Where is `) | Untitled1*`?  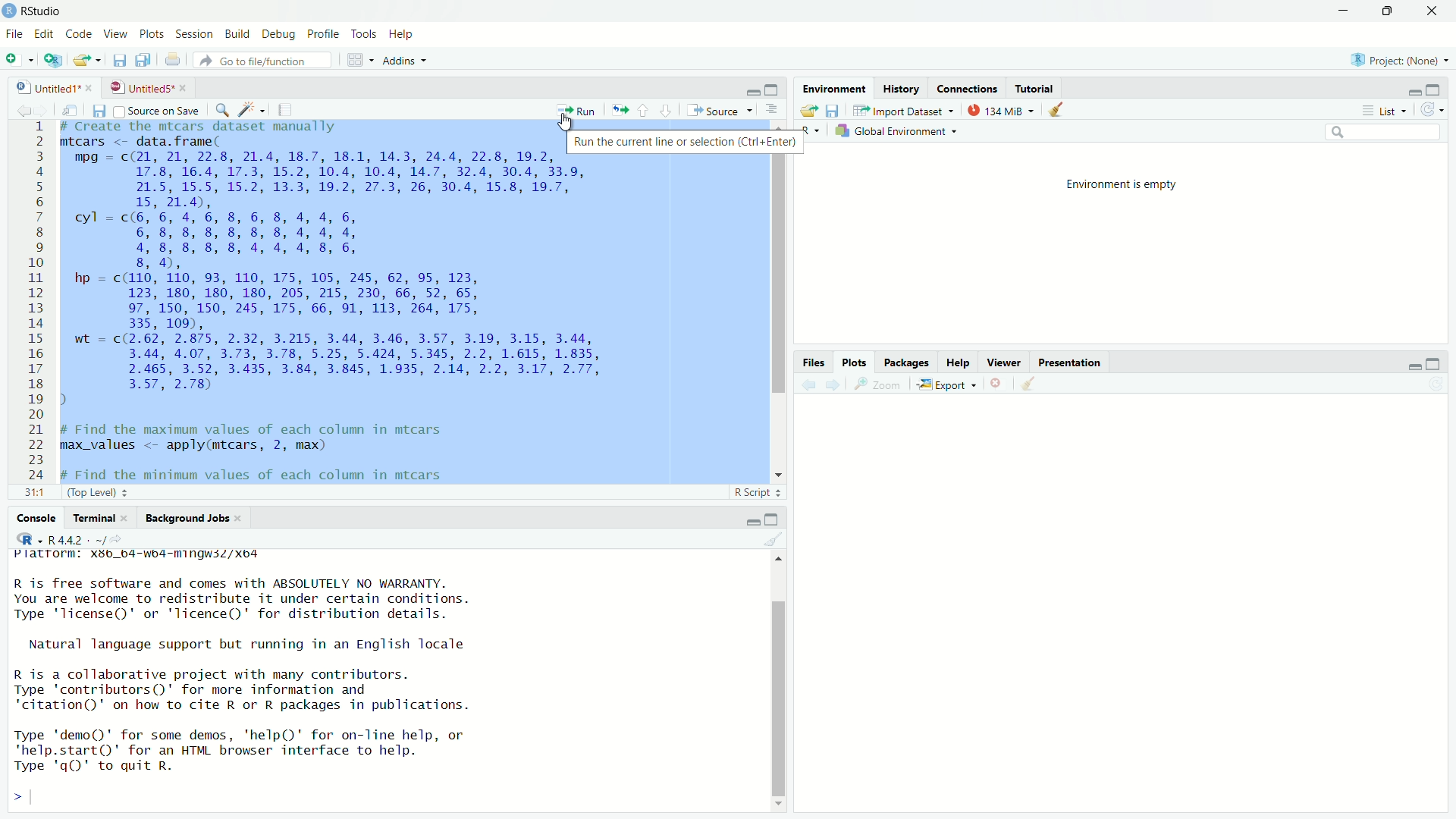
) | Untitled1* is located at coordinates (53, 86).